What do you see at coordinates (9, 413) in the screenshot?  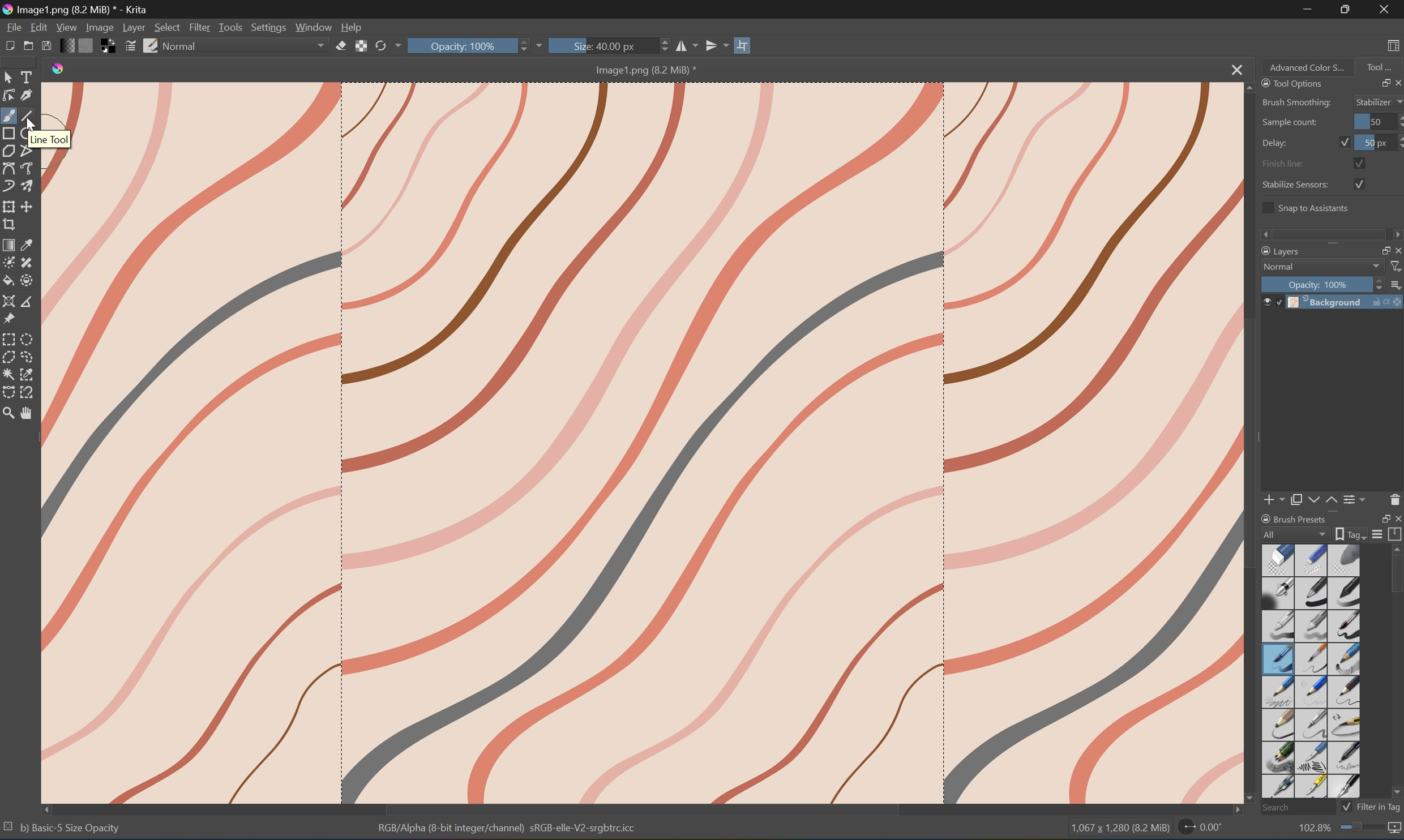 I see `Zoom tool` at bounding box center [9, 413].